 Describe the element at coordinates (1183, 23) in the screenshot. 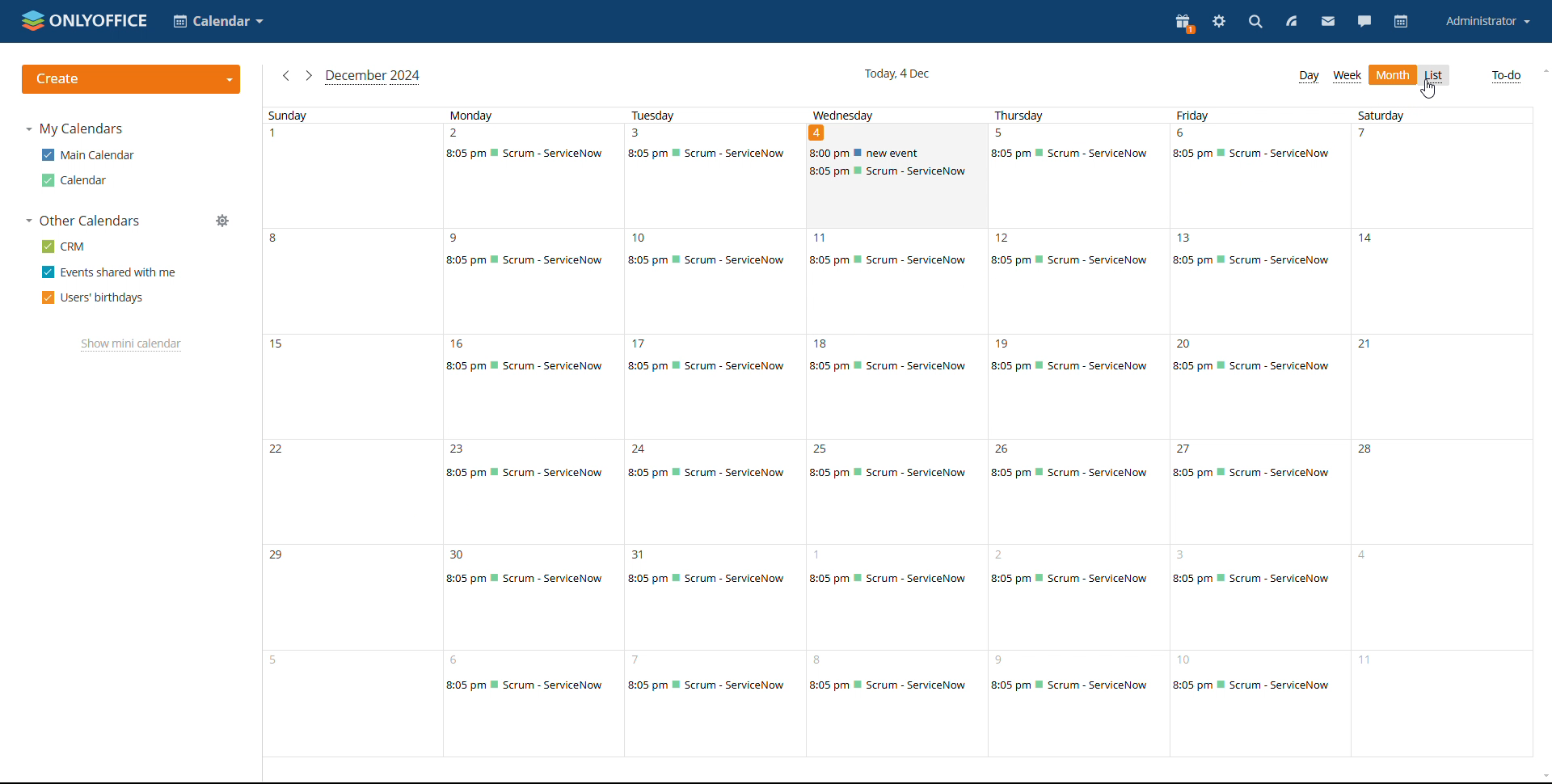

I see `present` at that location.